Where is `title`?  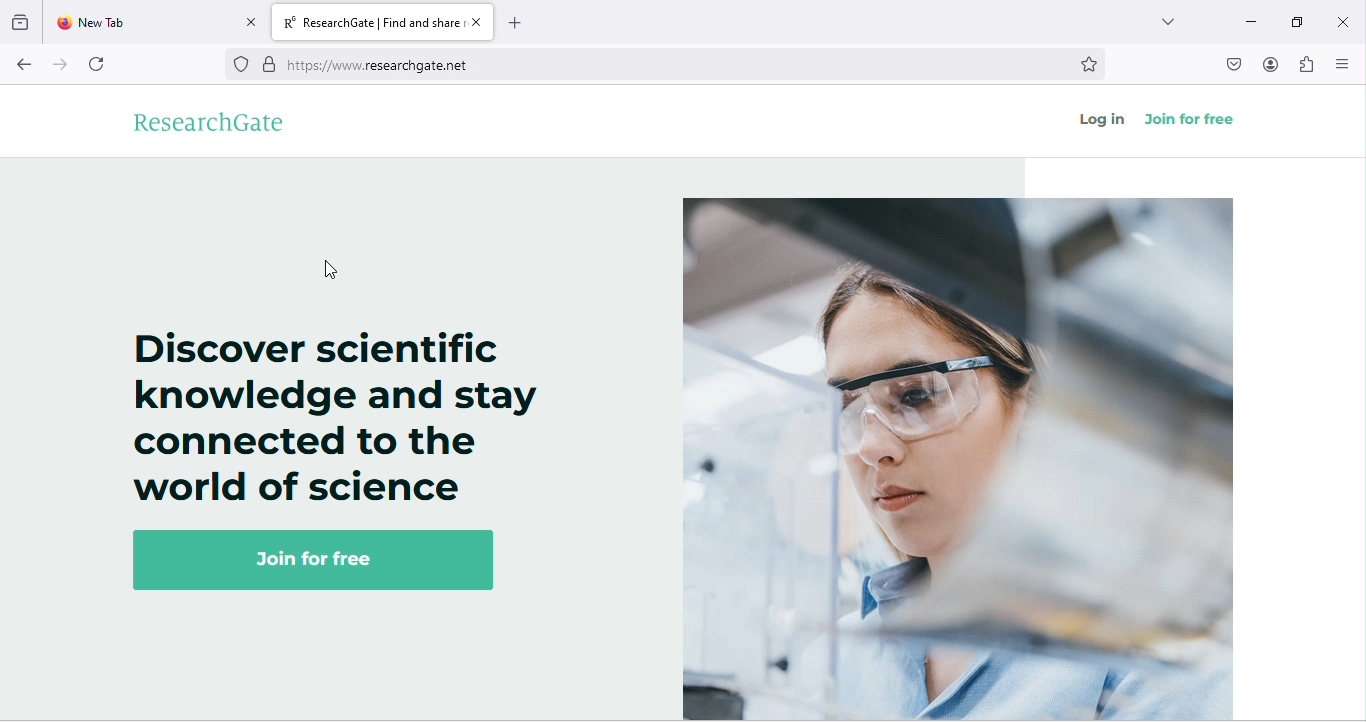 title is located at coordinates (385, 23).